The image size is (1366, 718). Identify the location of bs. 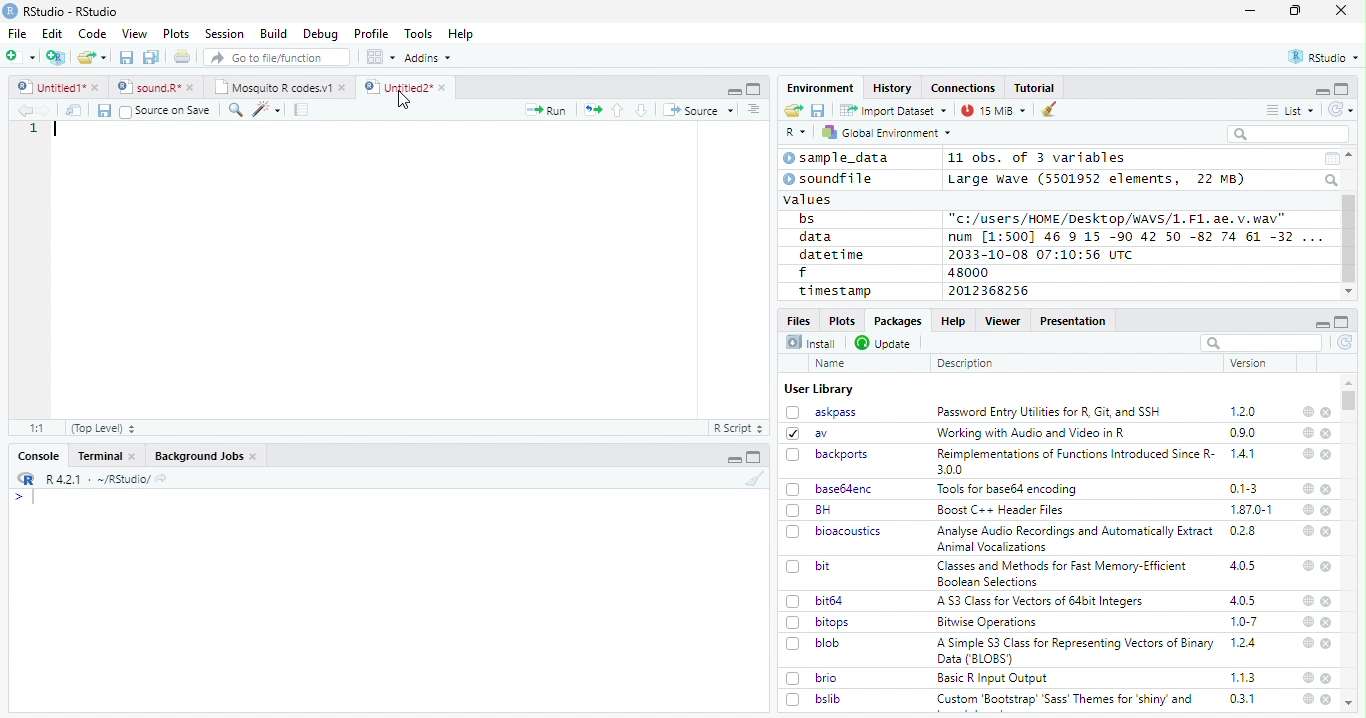
(807, 219).